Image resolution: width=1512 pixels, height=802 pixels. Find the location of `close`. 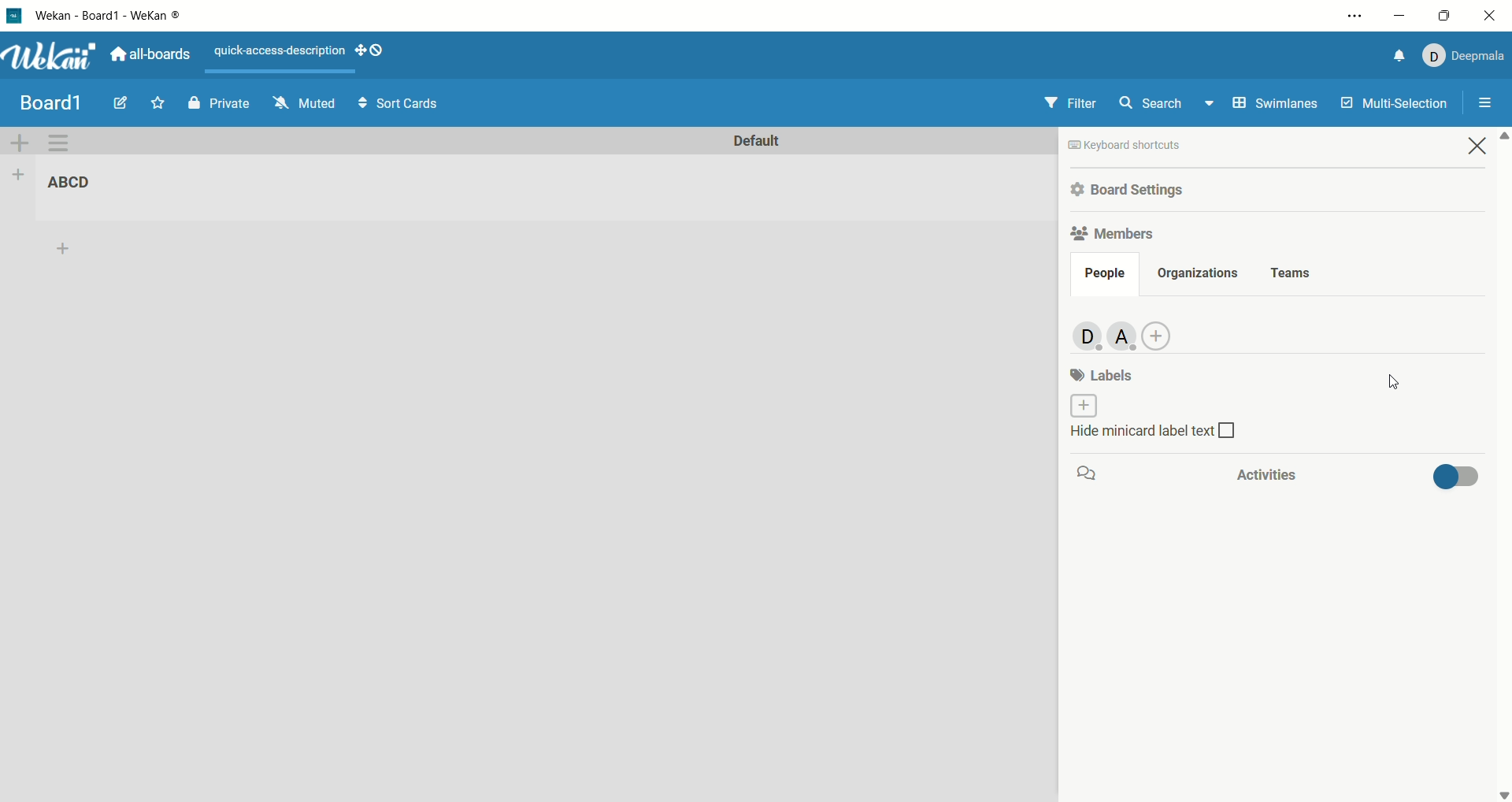

close is located at coordinates (1478, 145).